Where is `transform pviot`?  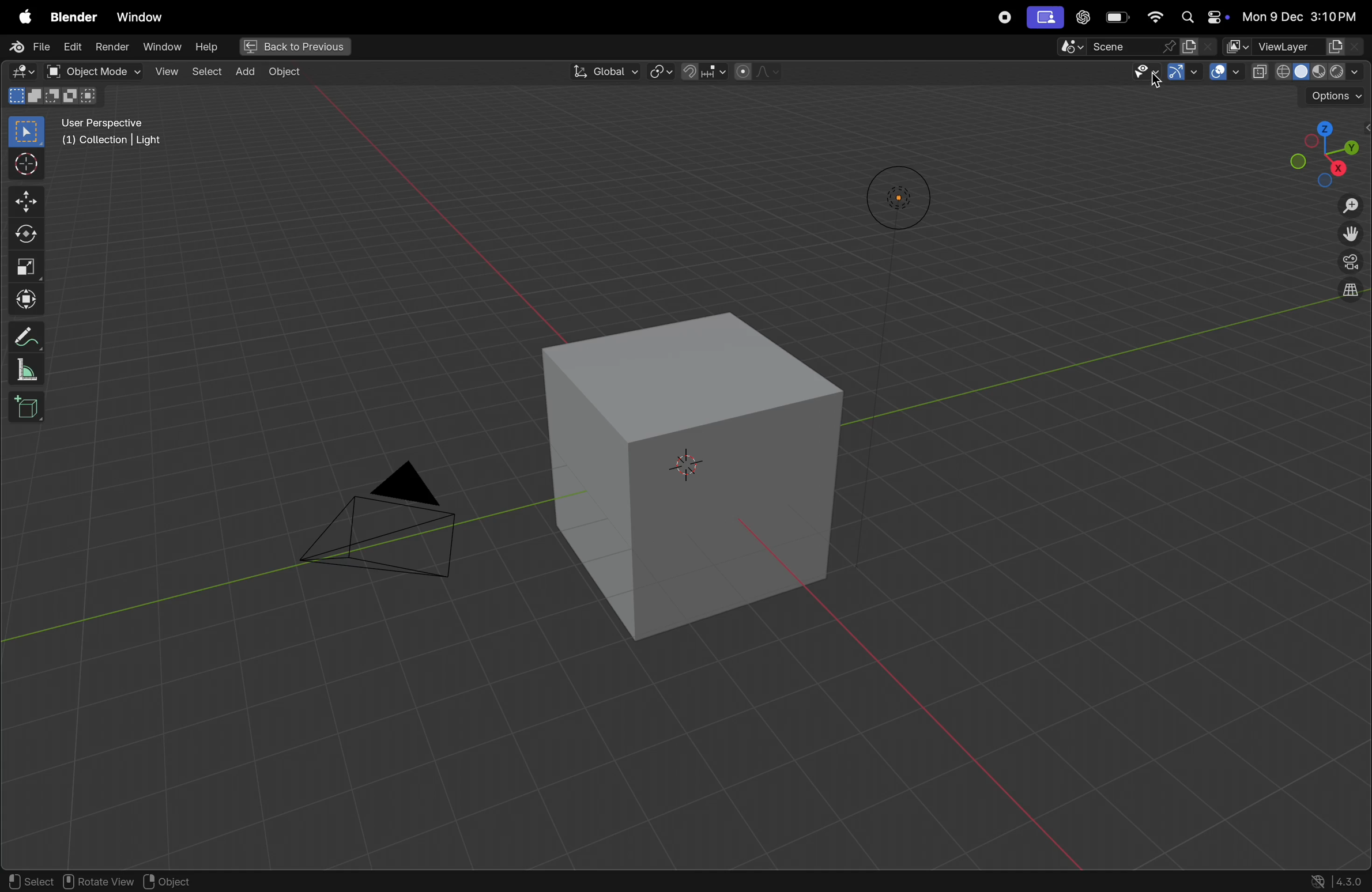
transform pviot is located at coordinates (661, 71).